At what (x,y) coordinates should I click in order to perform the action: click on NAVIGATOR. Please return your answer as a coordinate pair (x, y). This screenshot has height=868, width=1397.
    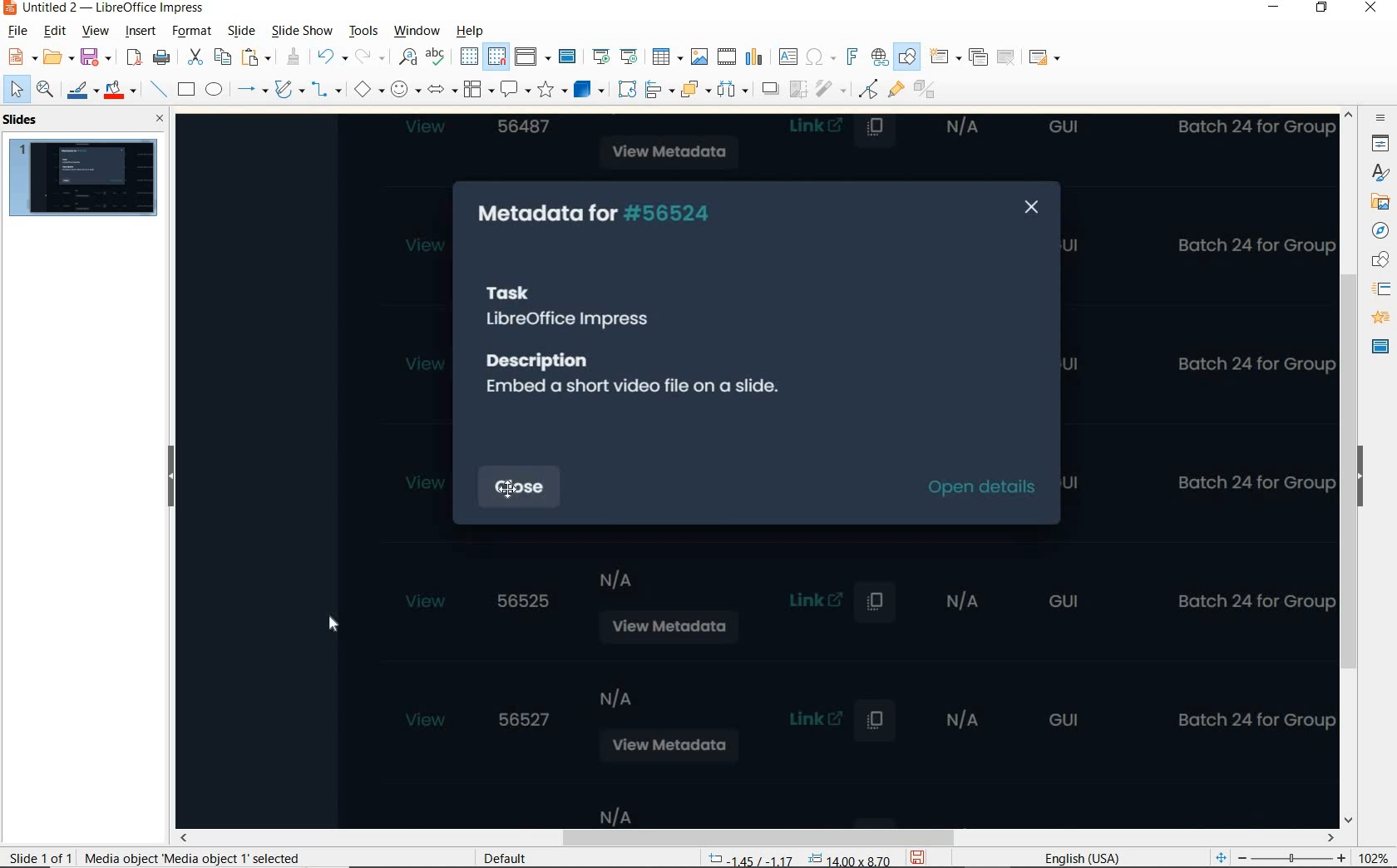
    Looking at the image, I should click on (1380, 233).